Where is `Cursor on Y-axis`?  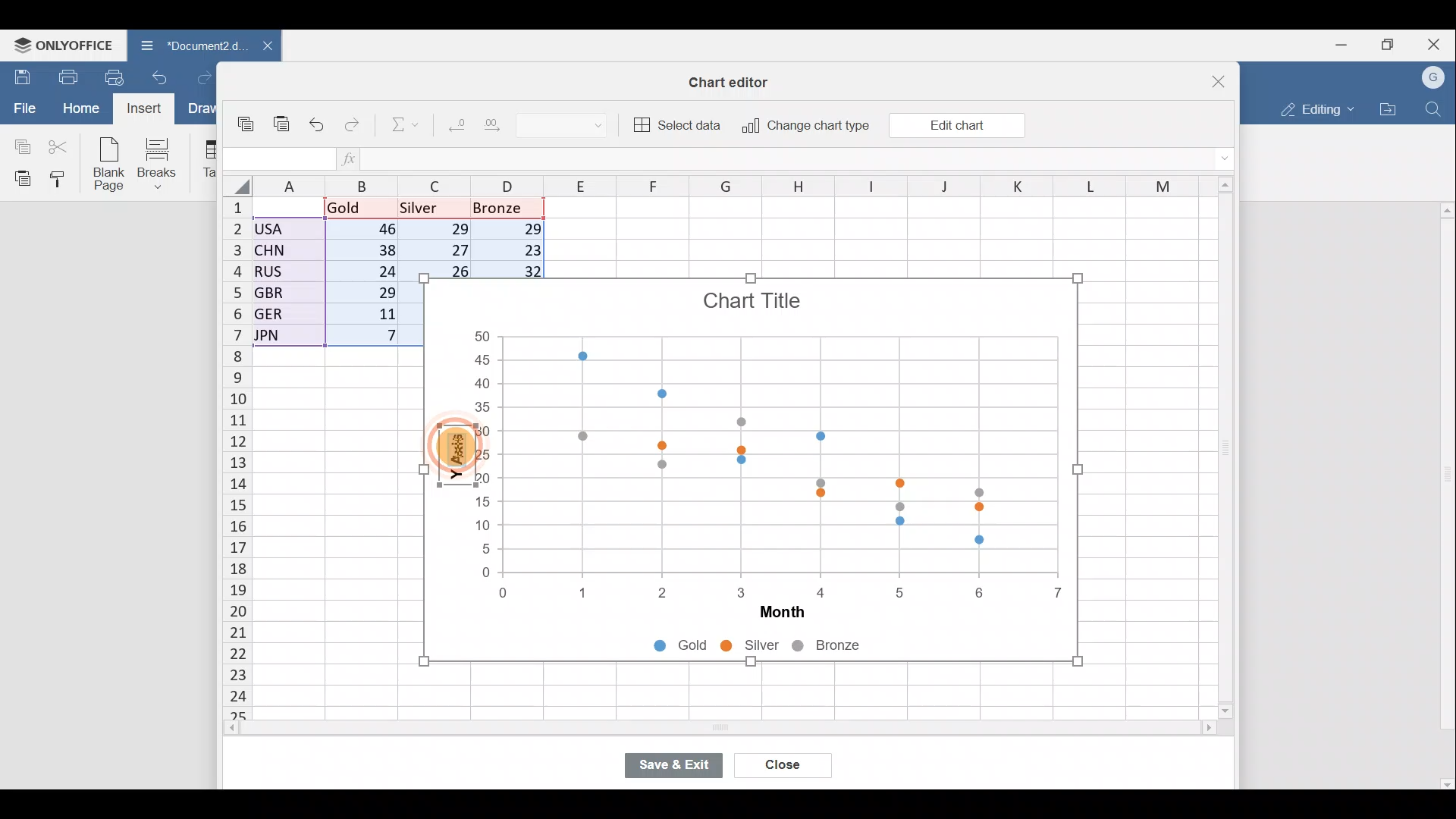
Cursor on Y-axis is located at coordinates (446, 449).